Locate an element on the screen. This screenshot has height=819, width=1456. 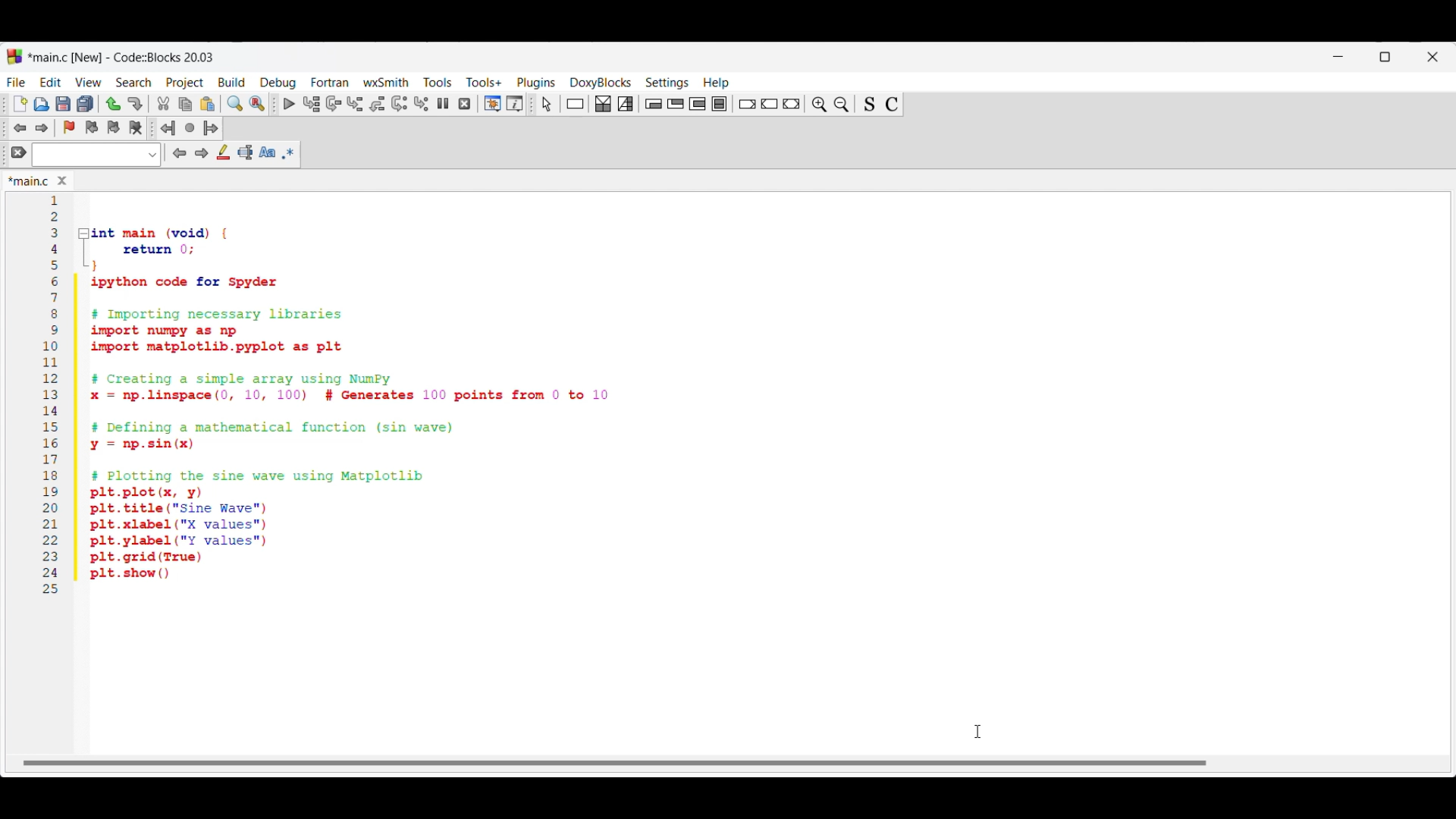
Current tab is located at coordinates (29, 182).